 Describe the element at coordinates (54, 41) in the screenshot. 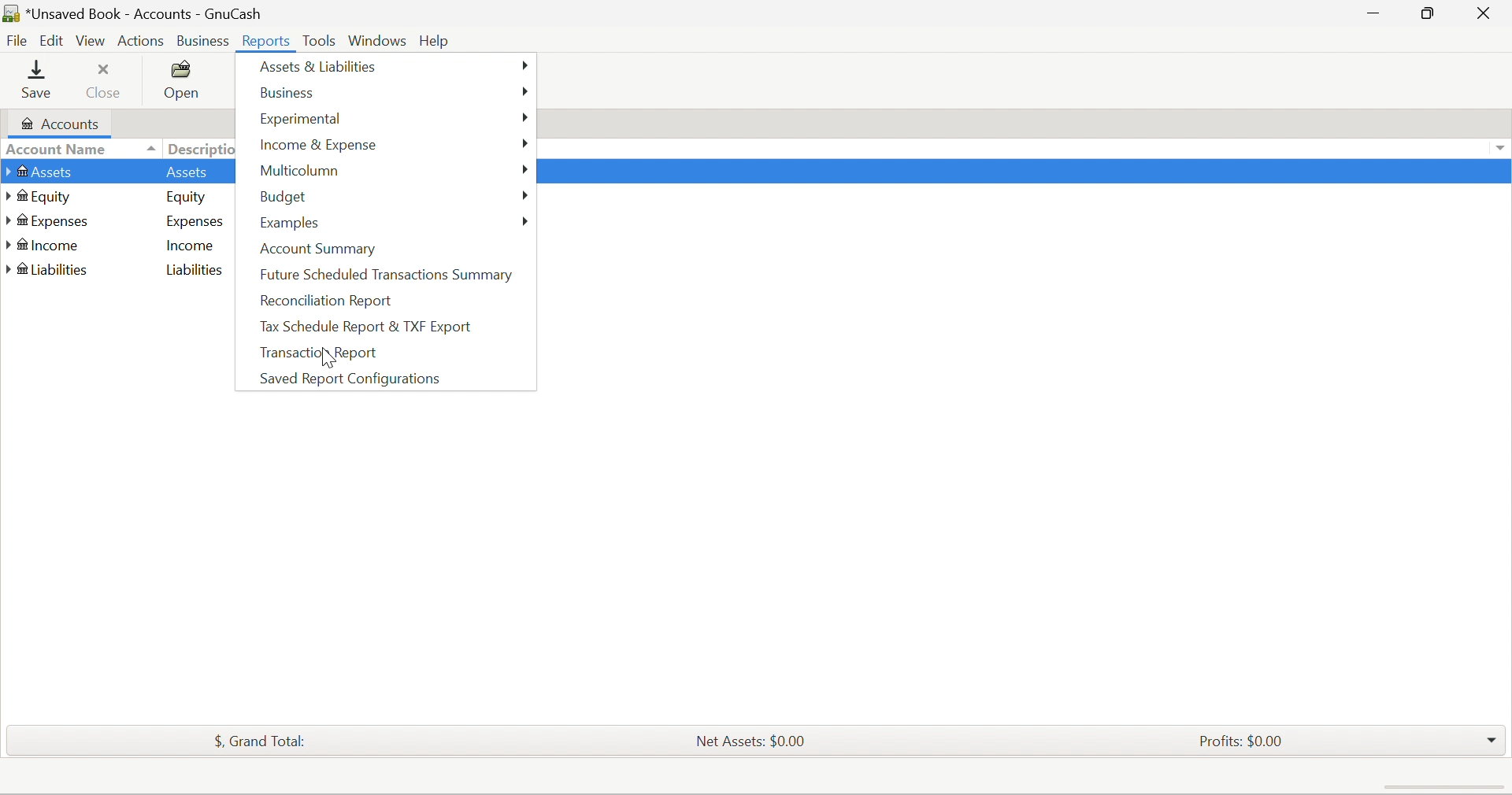

I see `Edit` at that location.